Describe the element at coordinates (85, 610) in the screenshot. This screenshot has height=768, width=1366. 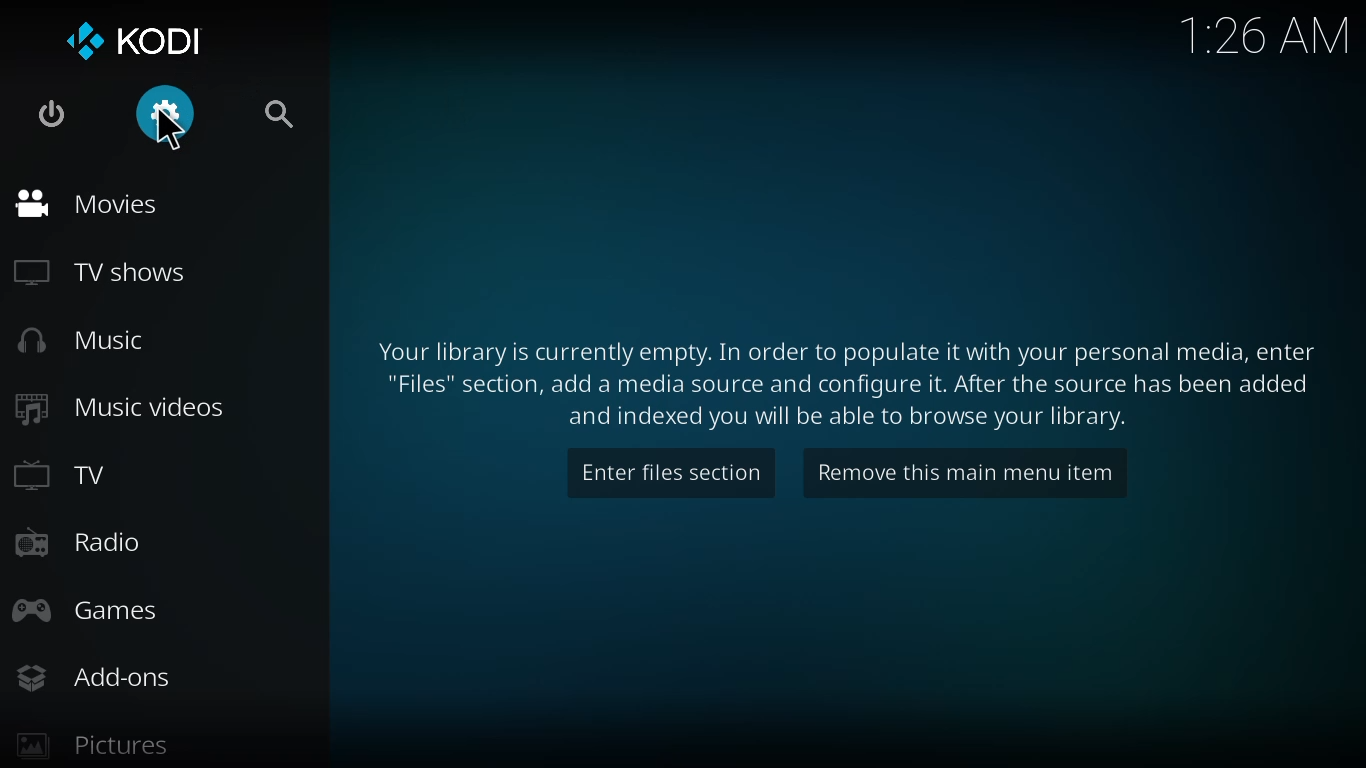
I see `games` at that location.